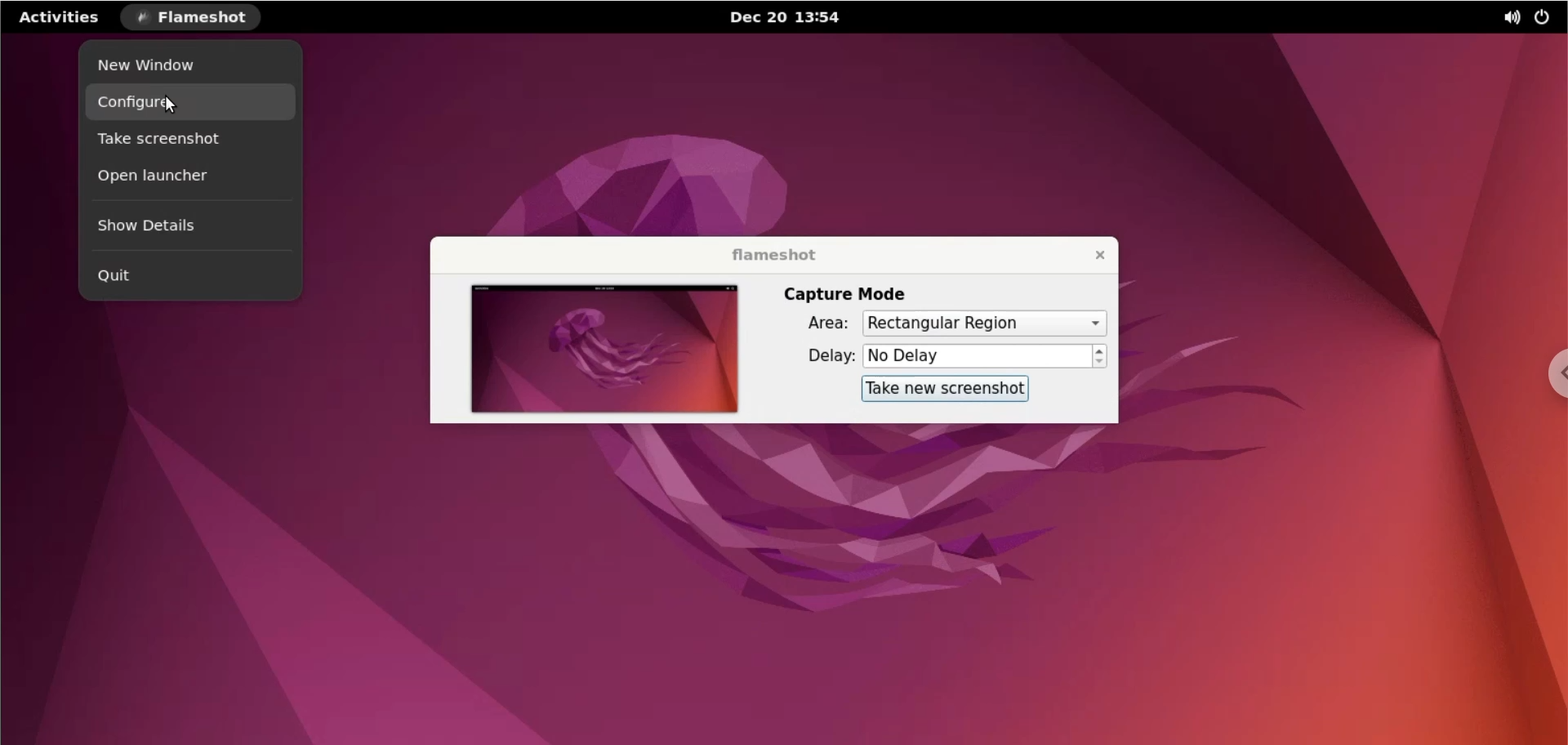 This screenshot has width=1568, height=745. What do you see at coordinates (1505, 18) in the screenshot?
I see `sound options` at bounding box center [1505, 18].